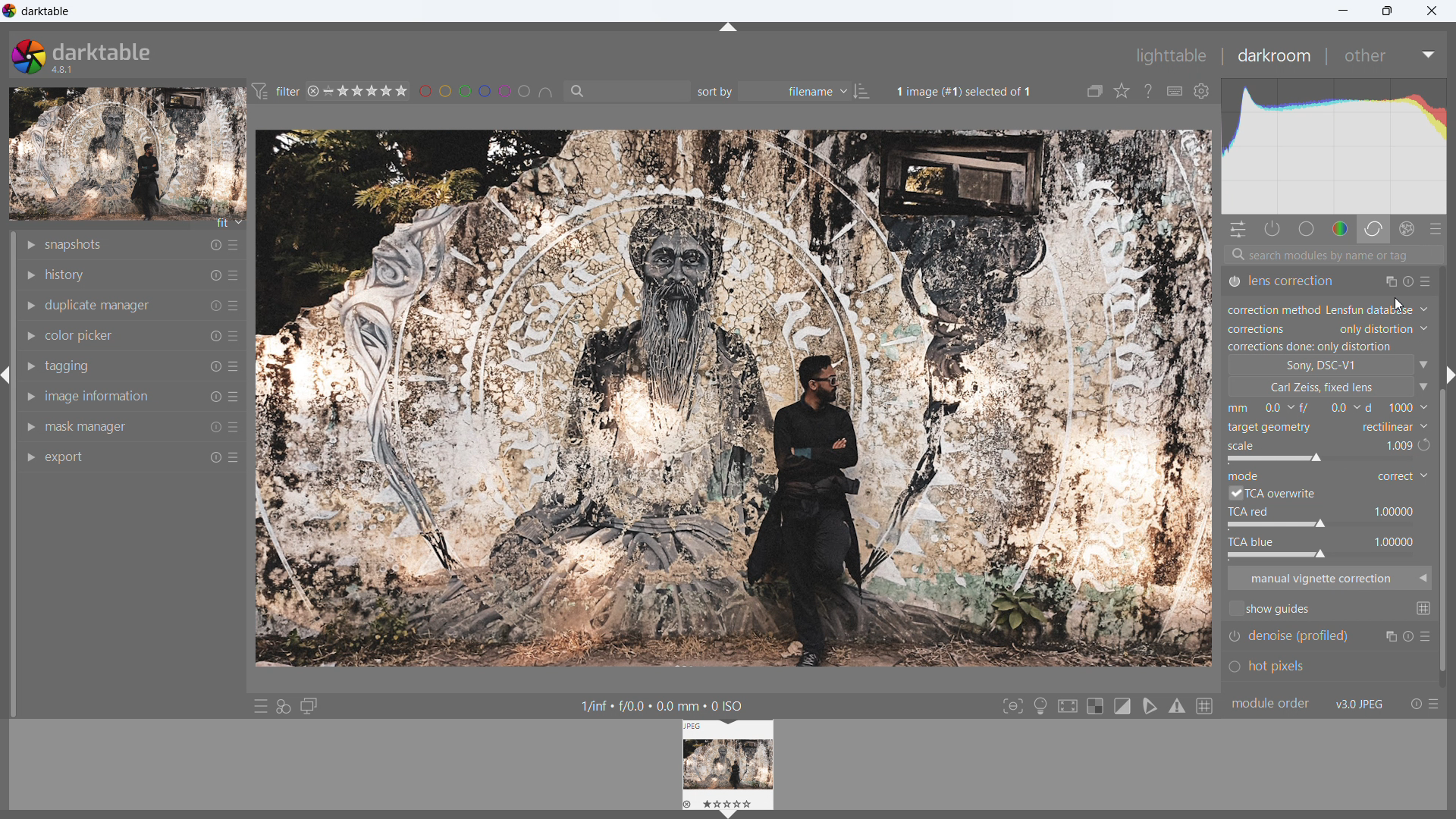 The width and height of the screenshot is (1456, 819). What do you see at coordinates (1149, 91) in the screenshot?
I see `enable this and click on a control element to get online help` at bounding box center [1149, 91].